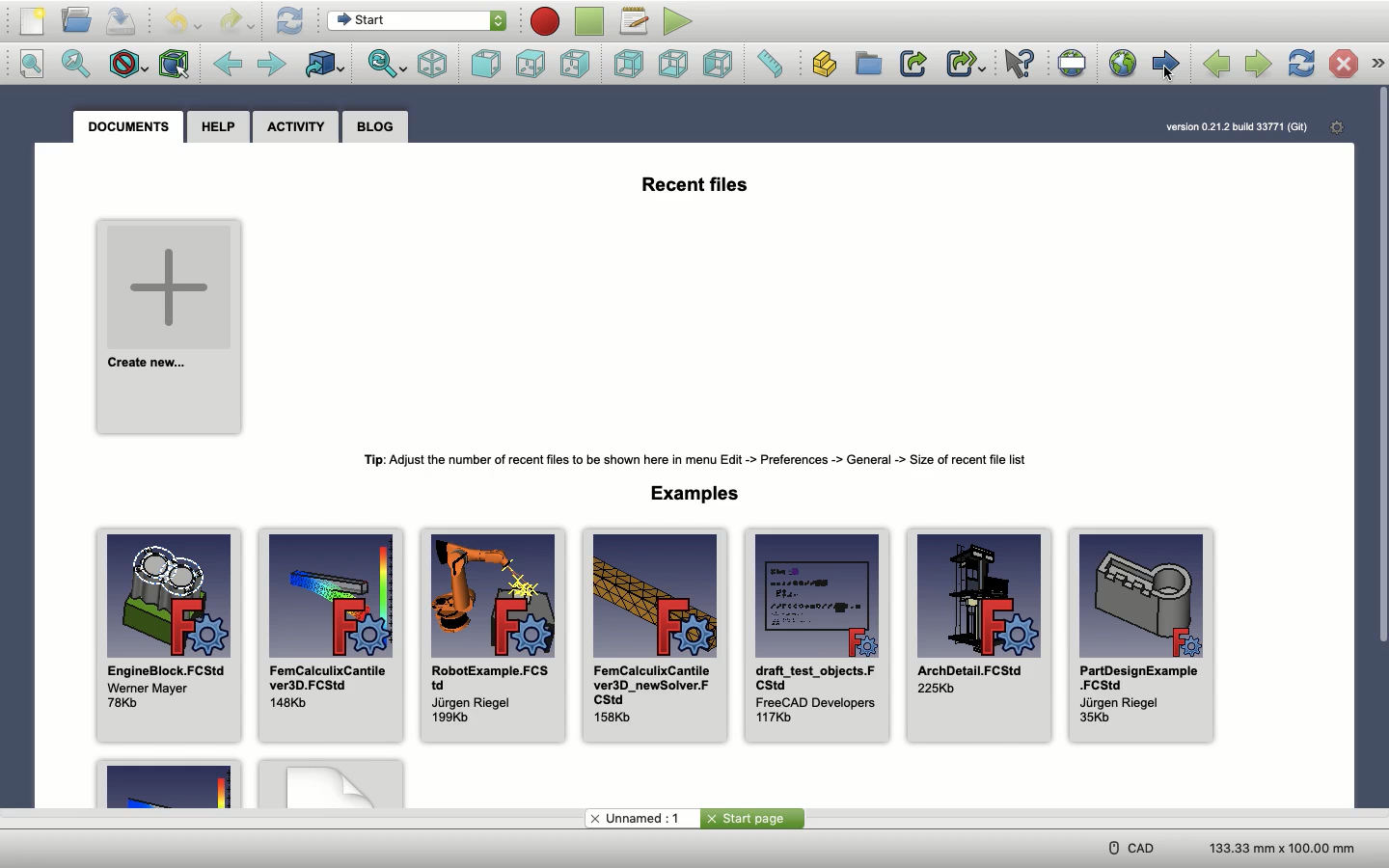  I want to click on Create group, so click(872, 64).